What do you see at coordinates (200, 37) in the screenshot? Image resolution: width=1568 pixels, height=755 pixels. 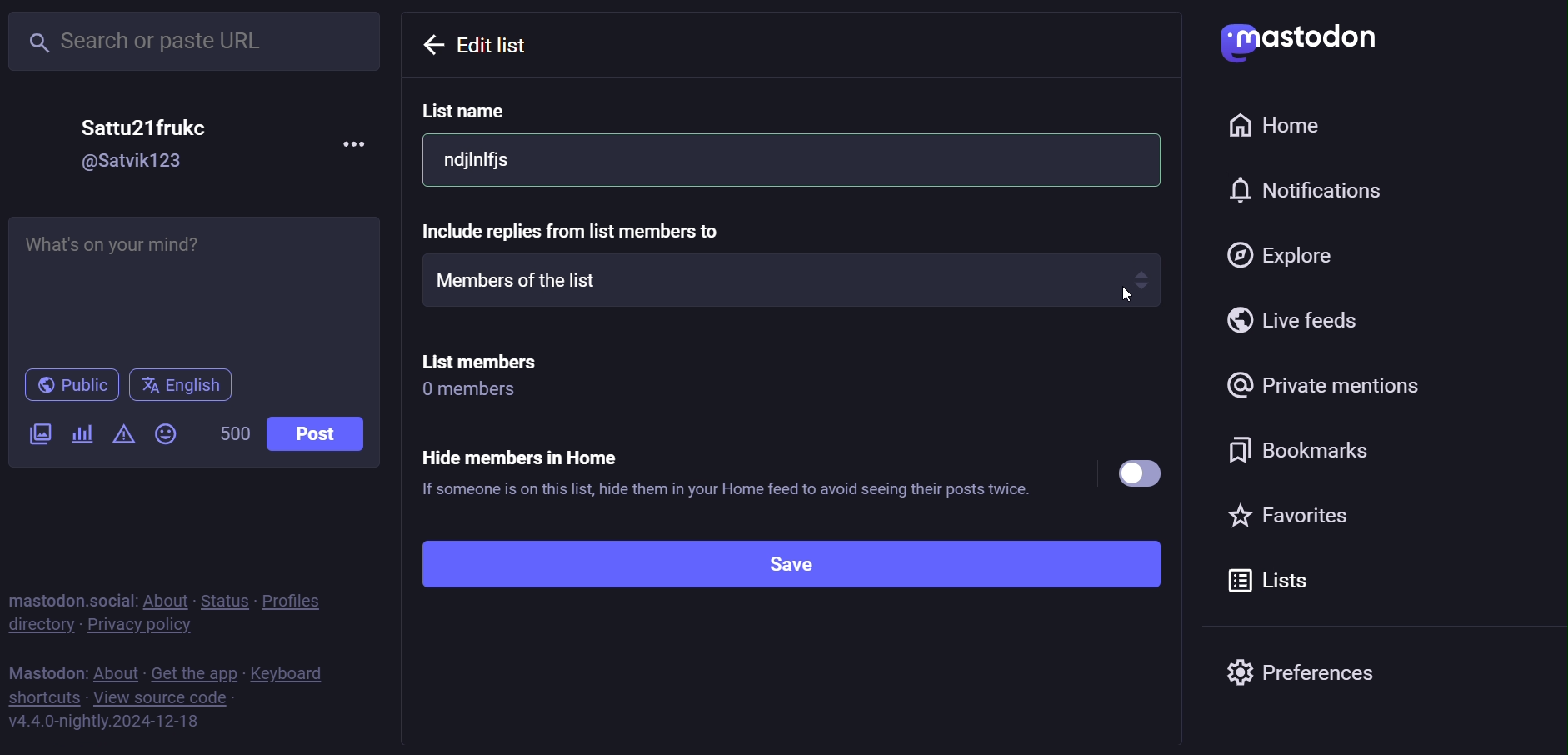 I see `search or paste URL` at bounding box center [200, 37].